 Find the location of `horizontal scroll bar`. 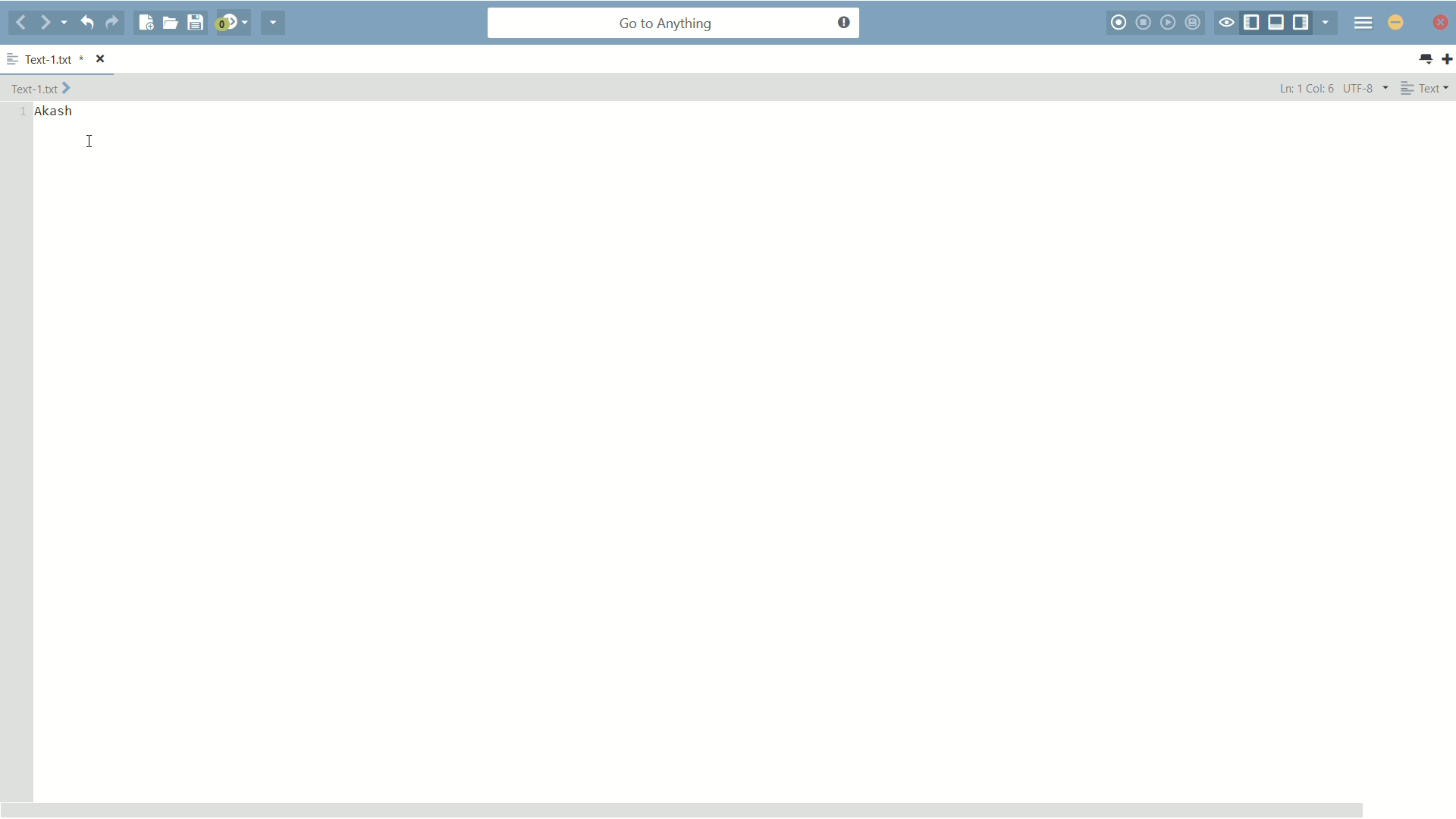

horizontal scroll bar is located at coordinates (682, 808).